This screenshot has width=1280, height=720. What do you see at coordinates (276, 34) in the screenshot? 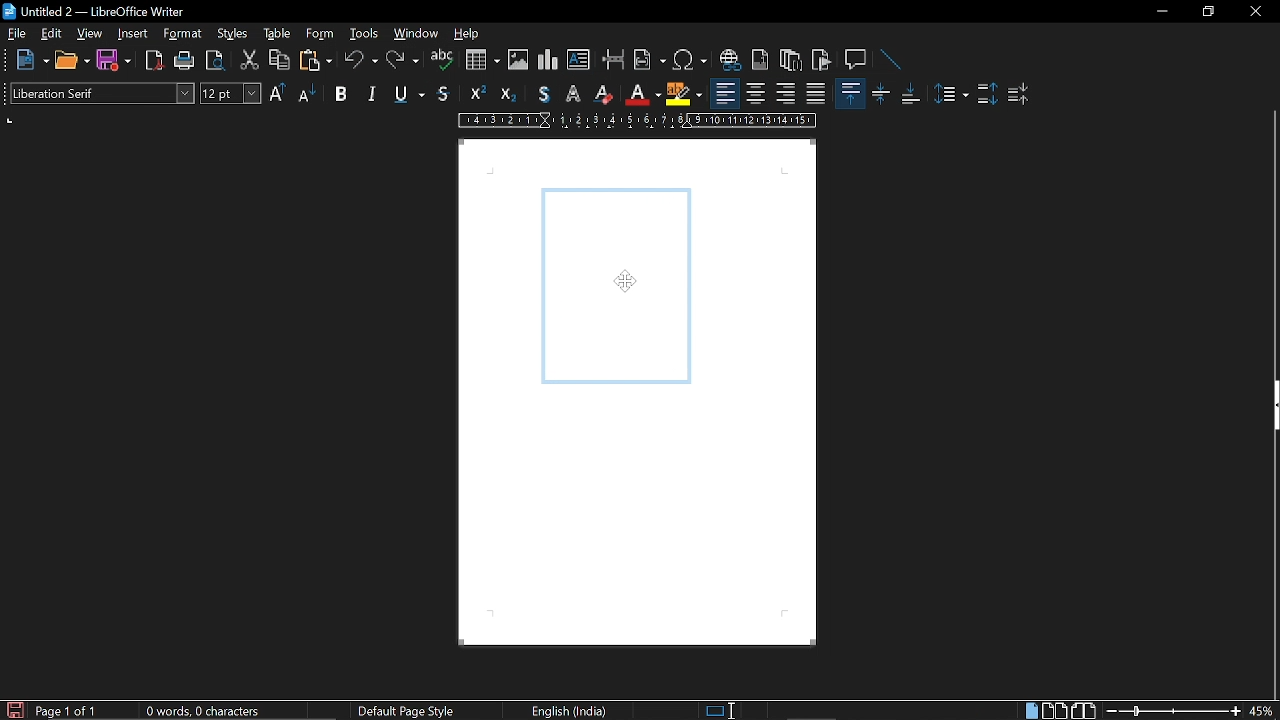
I see `table` at bounding box center [276, 34].